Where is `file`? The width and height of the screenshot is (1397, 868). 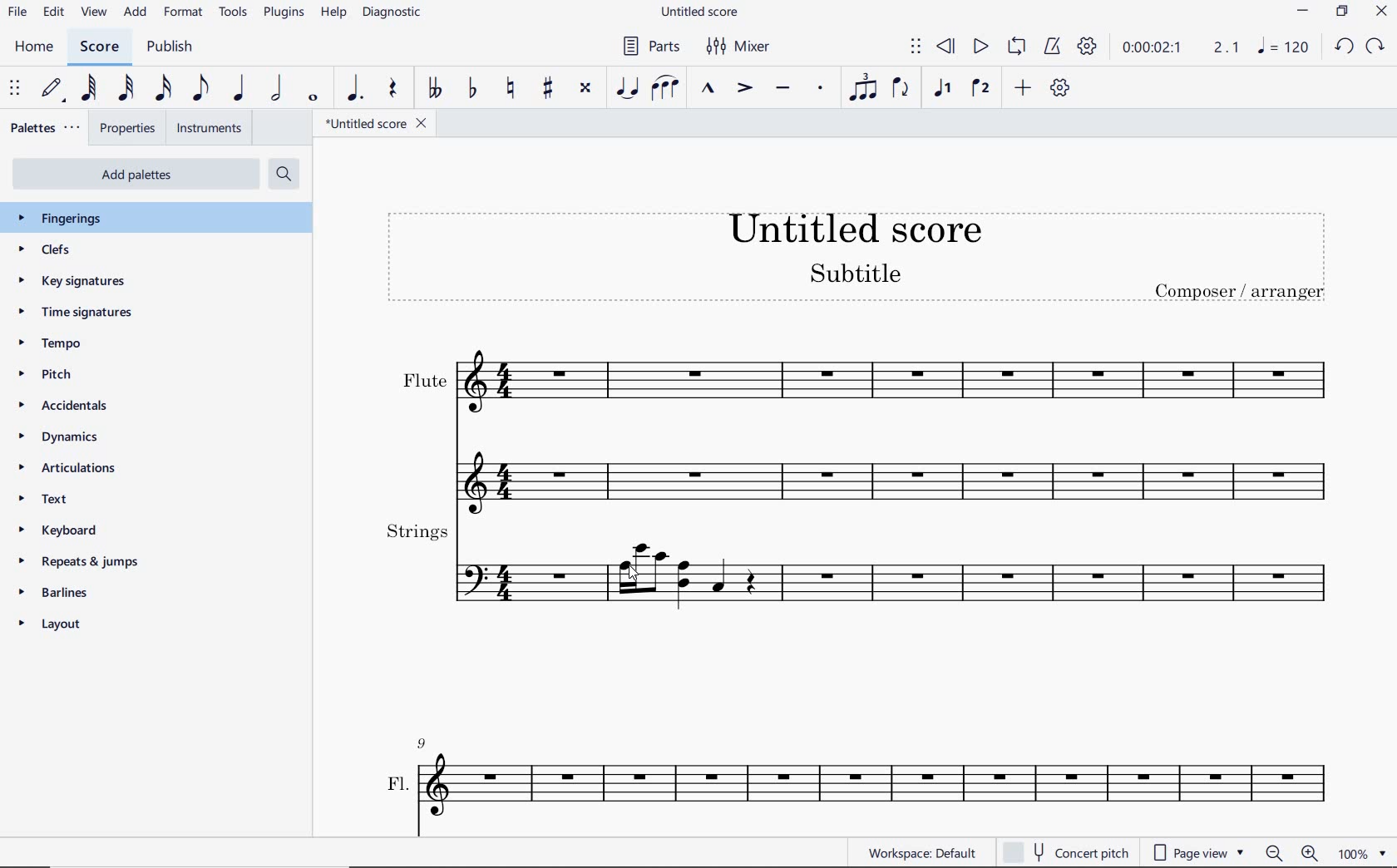
file is located at coordinates (17, 13).